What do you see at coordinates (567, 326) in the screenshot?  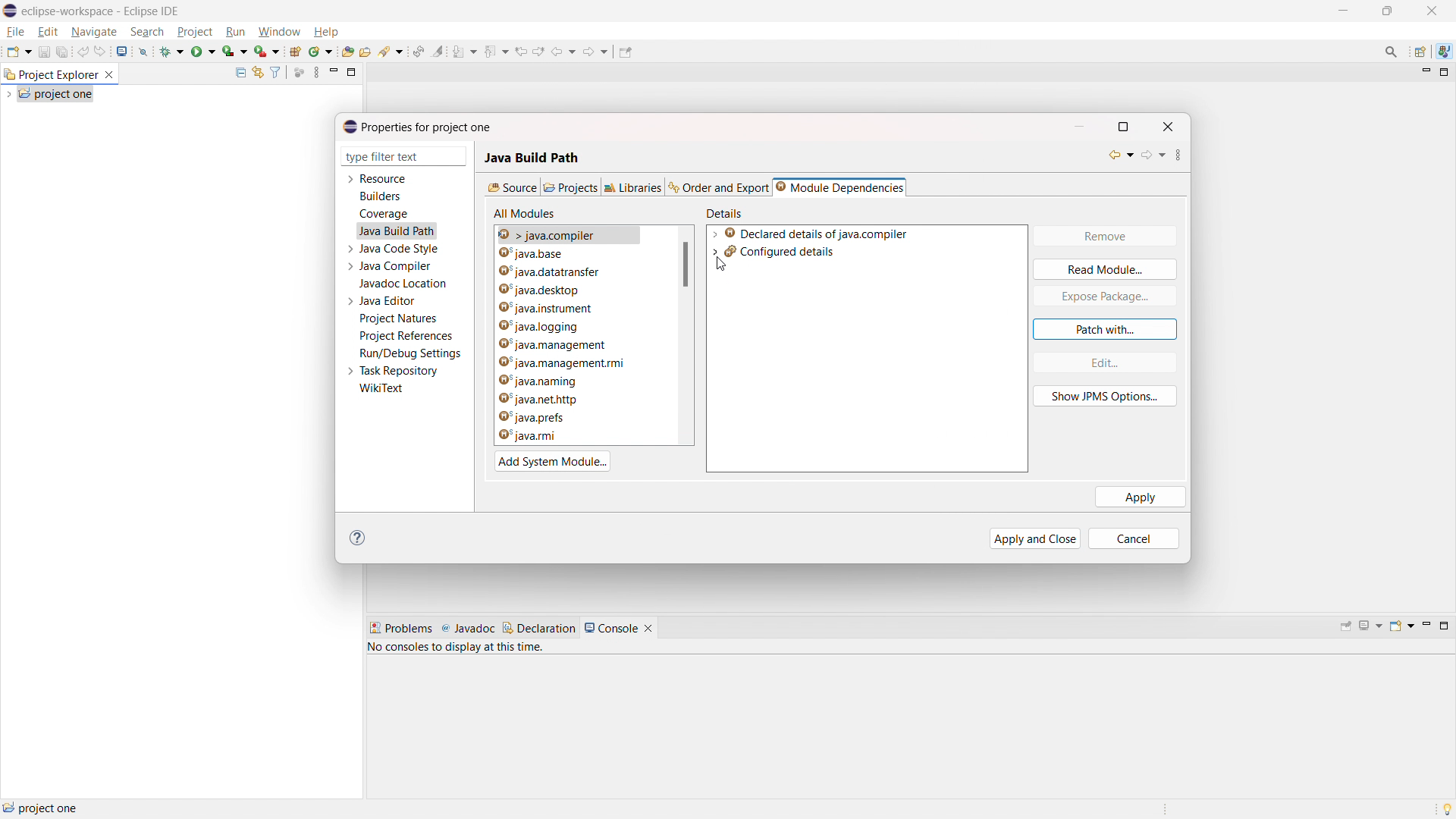 I see `java.logging` at bounding box center [567, 326].